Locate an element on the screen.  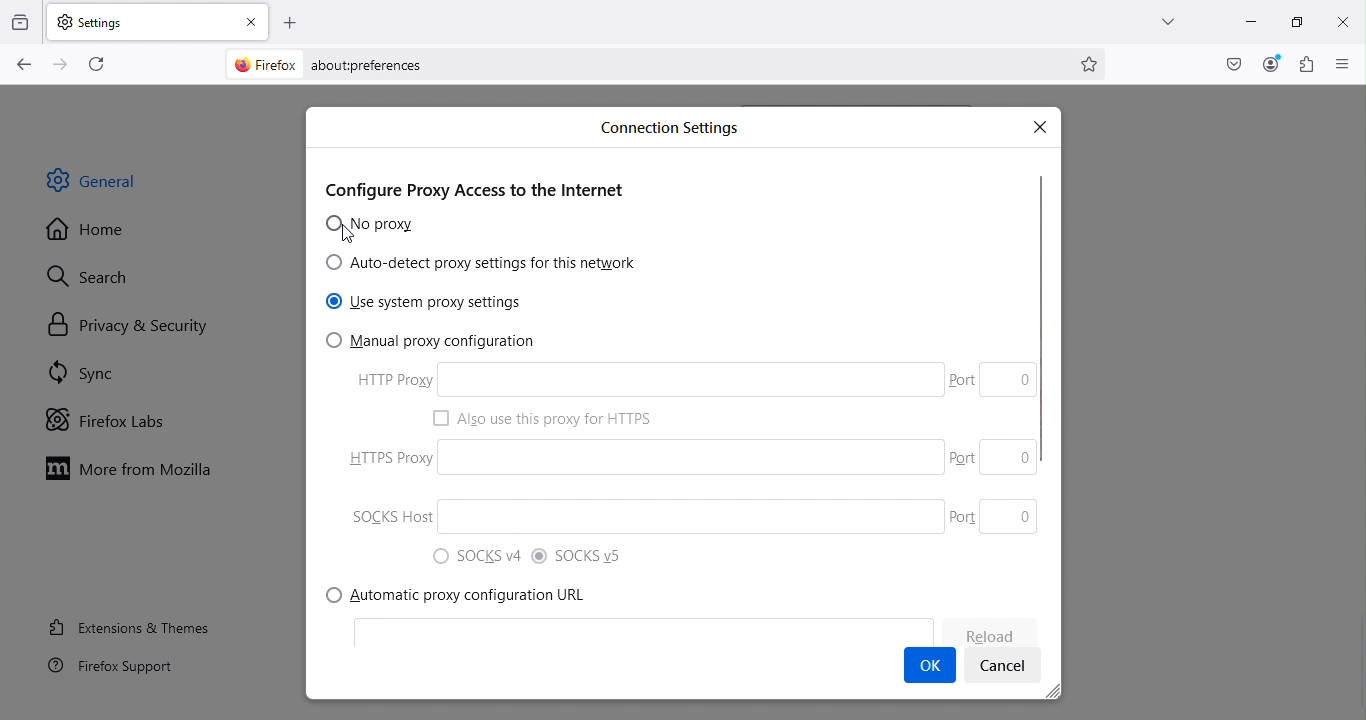
No proxy is located at coordinates (373, 225).